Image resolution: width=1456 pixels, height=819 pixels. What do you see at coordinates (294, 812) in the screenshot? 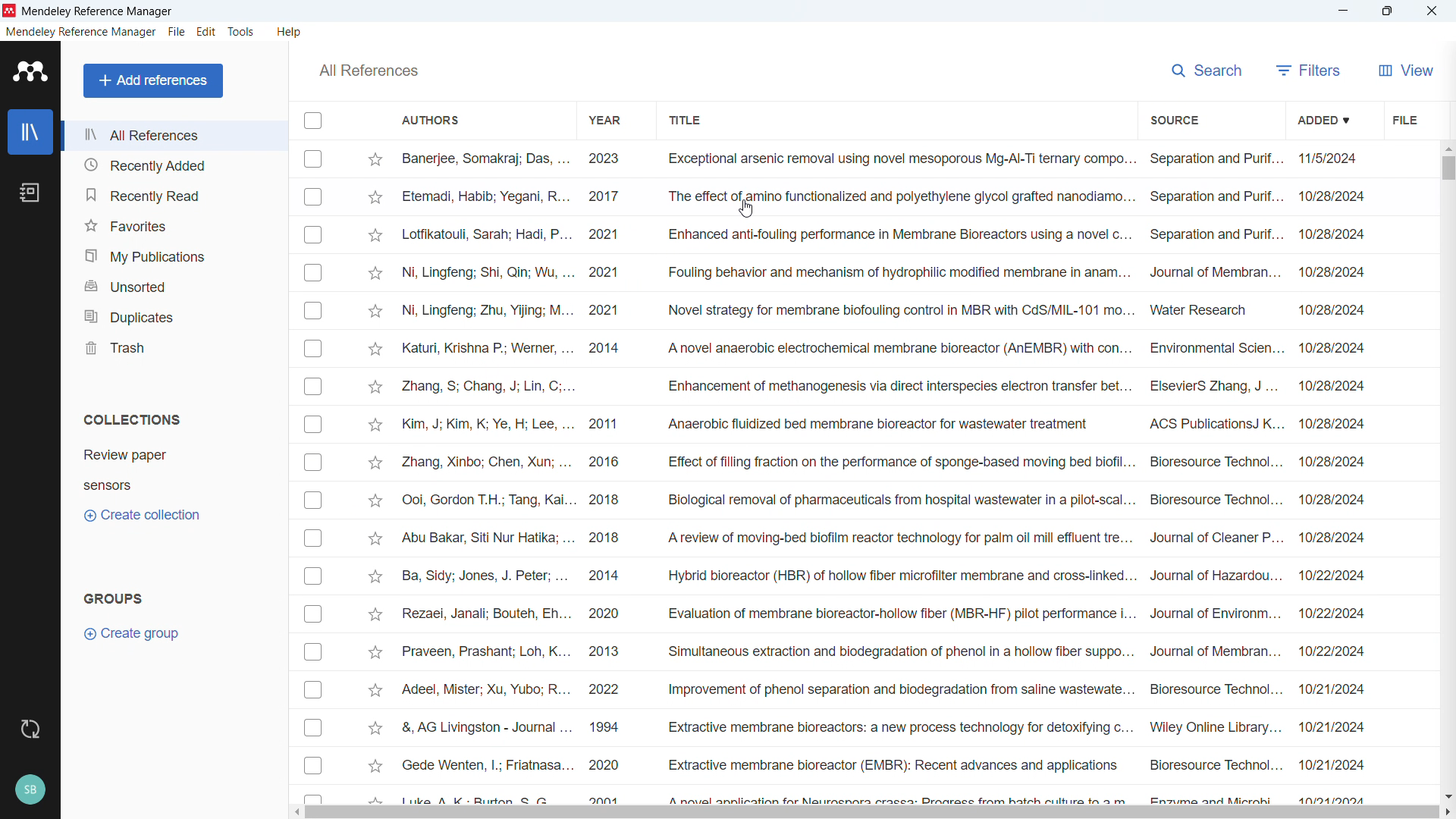
I see `Scroll left ` at bounding box center [294, 812].